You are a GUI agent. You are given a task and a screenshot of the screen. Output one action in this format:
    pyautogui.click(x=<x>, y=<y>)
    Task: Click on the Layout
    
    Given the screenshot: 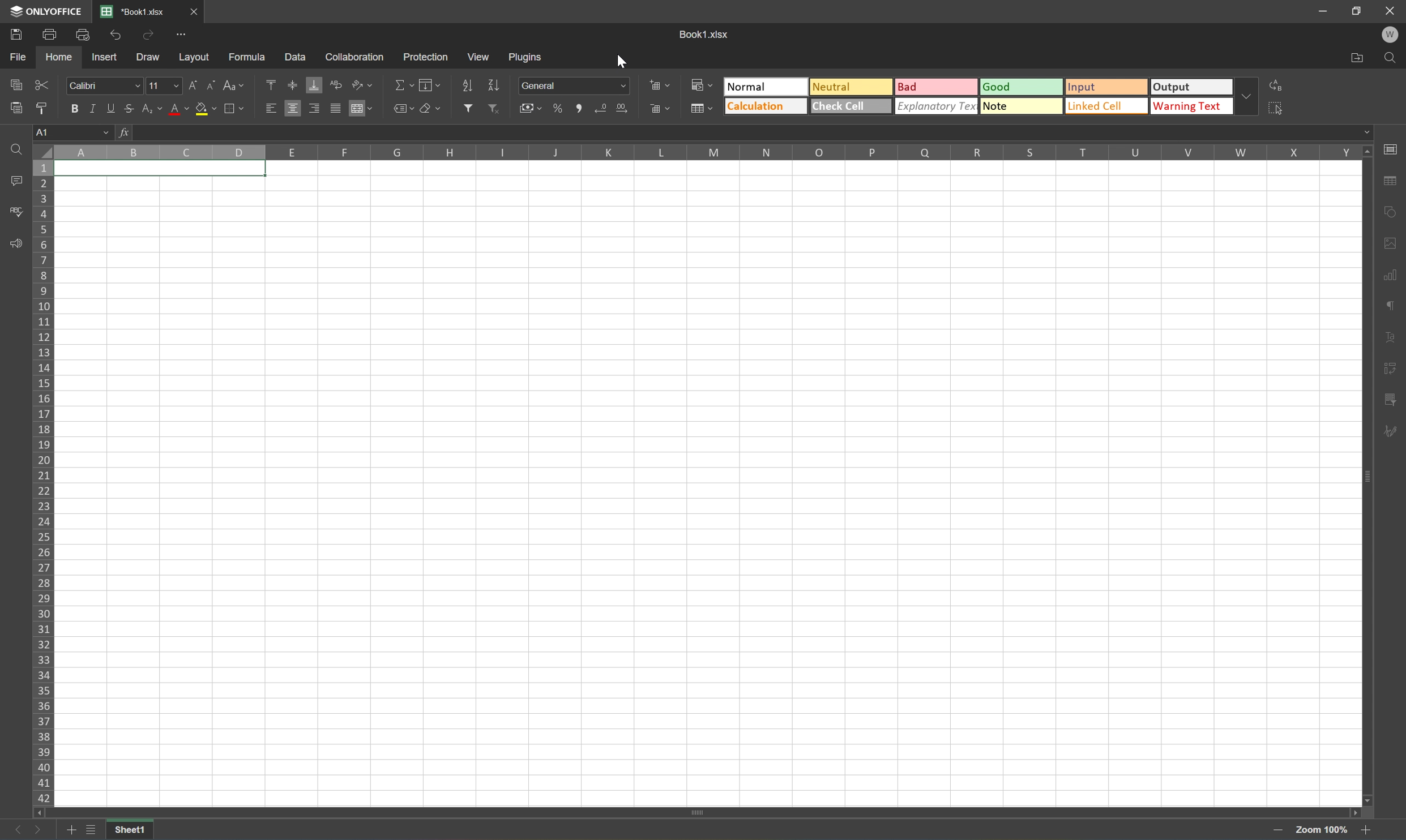 What is the action you would take?
    pyautogui.click(x=194, y=58)
    